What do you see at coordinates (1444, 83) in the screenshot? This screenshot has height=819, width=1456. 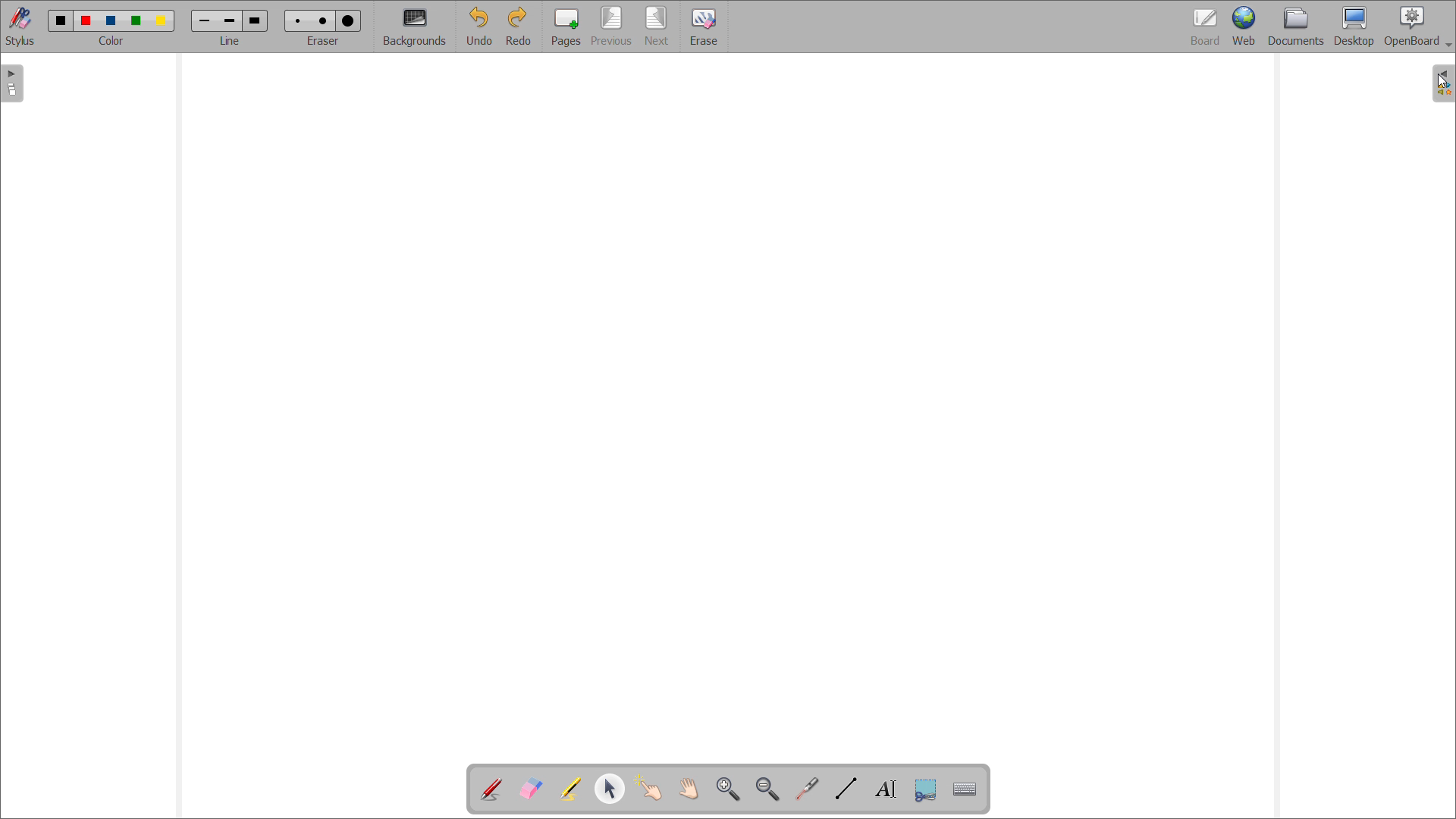 I see `open folders view` at bounding box center [1444, 83].